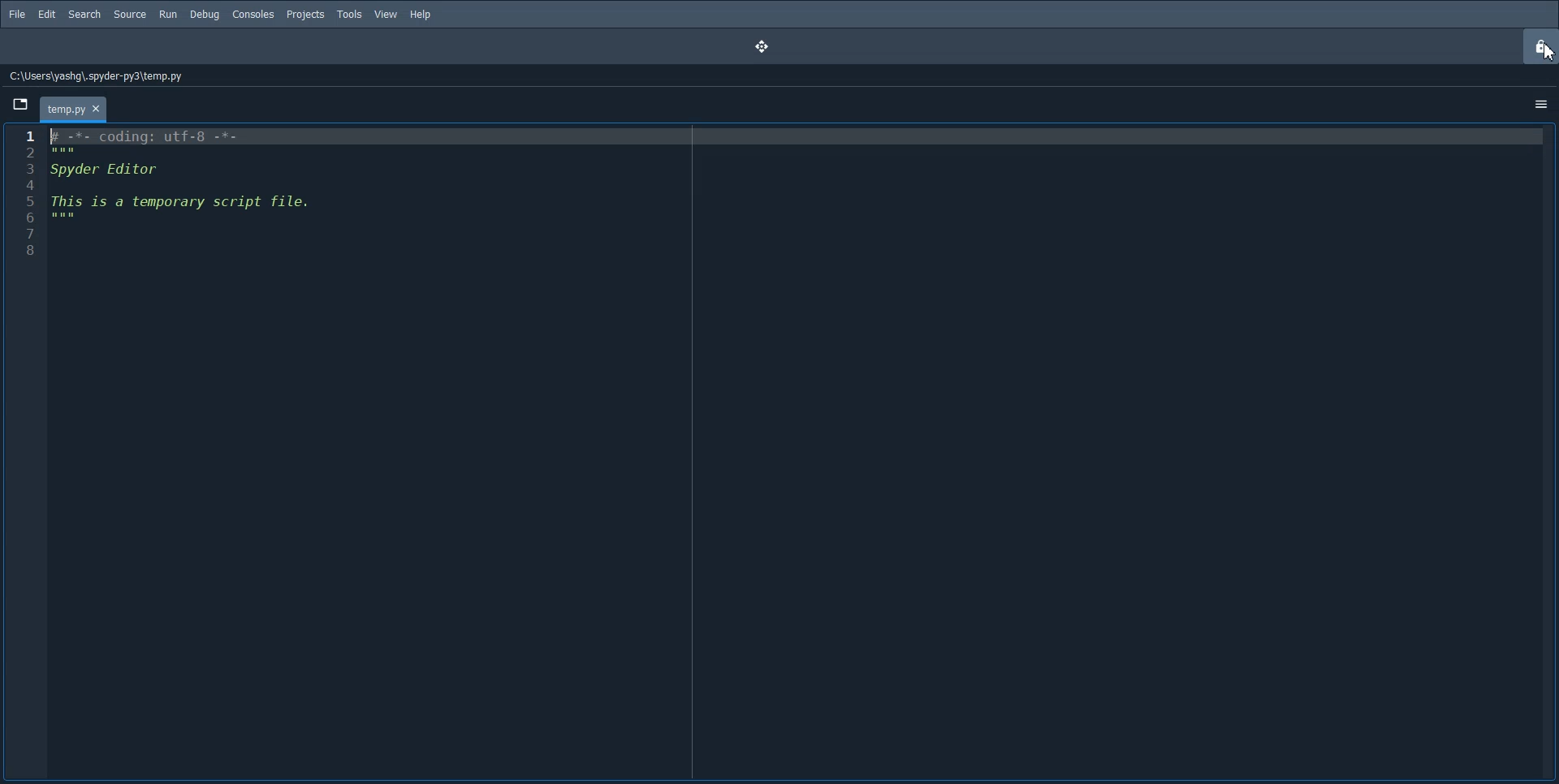 The width and height of the screenshot is (1559, 784). What do you see at coordinates (28, 197) in the screenshot?
I see `Line number` at bounding box center [28, 197].